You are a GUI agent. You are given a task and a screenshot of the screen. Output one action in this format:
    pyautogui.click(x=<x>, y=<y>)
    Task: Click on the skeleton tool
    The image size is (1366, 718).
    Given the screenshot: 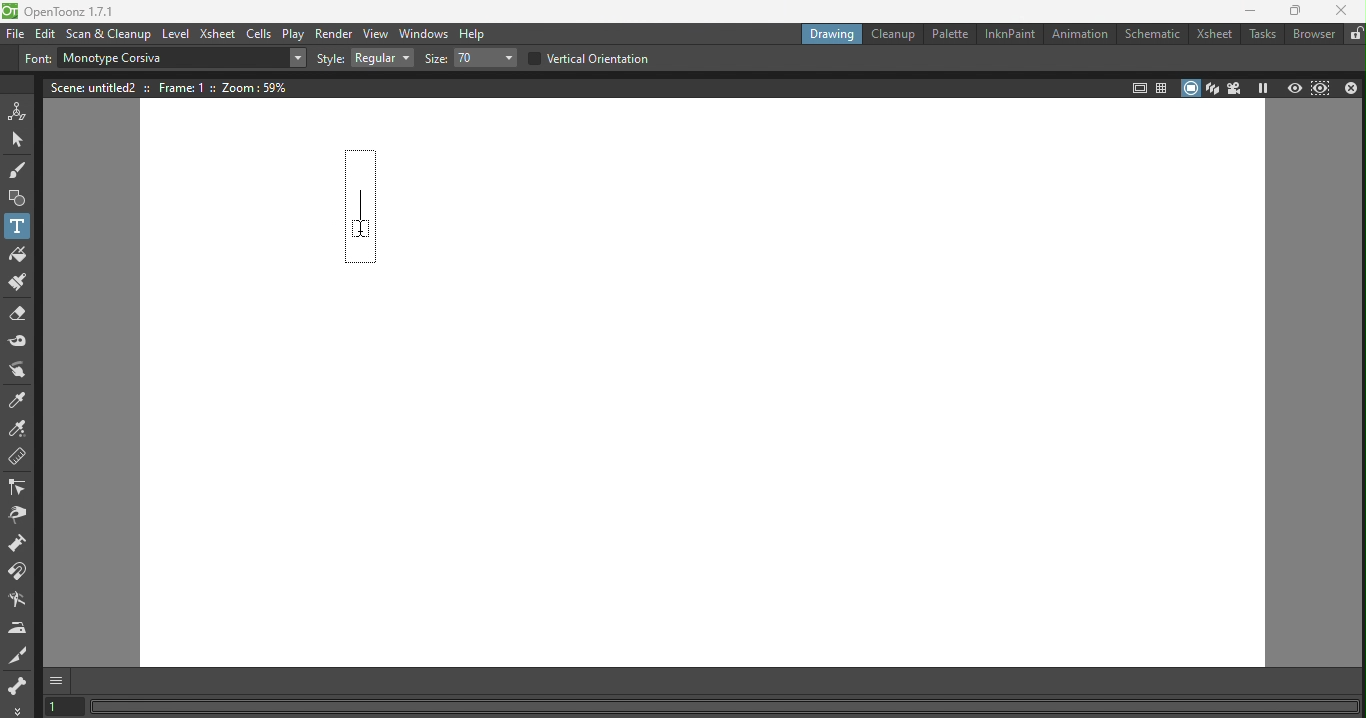 What is the action you would take?
    pyautogui.click(x=19, y=681)
    